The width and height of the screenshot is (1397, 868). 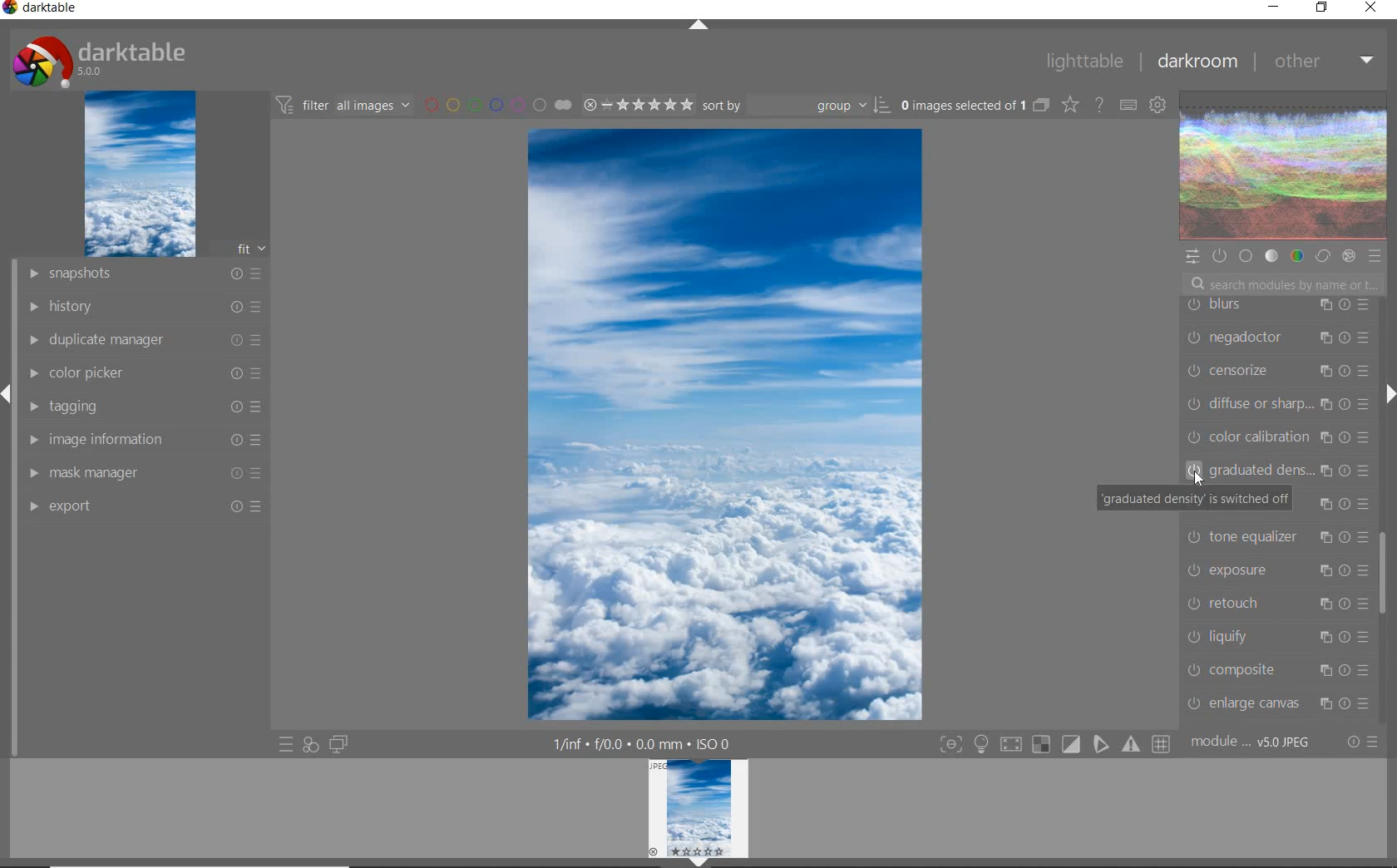 I want to click on SHOW ONLY ACTIVE MODULES, so click(x=1220, y=255).